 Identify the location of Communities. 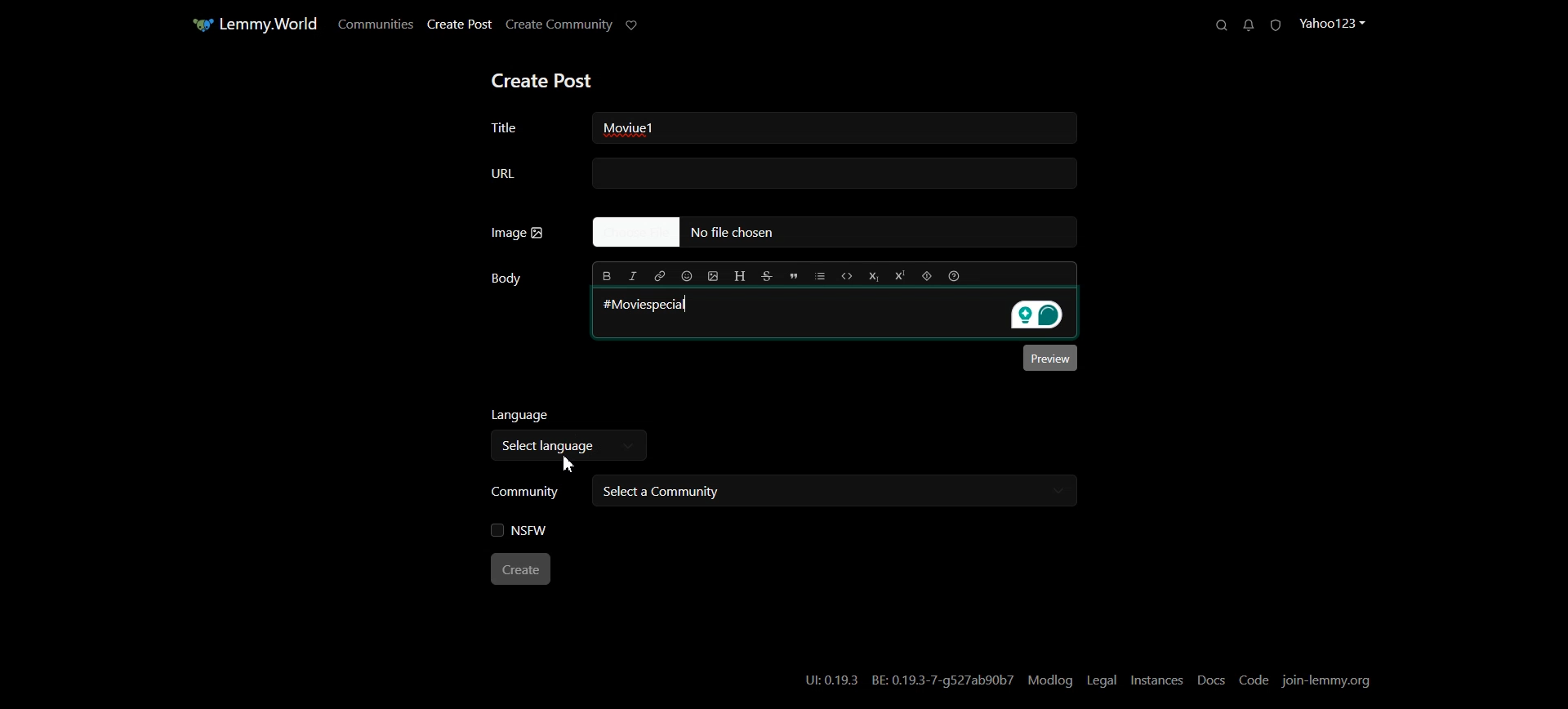
(373, 24).